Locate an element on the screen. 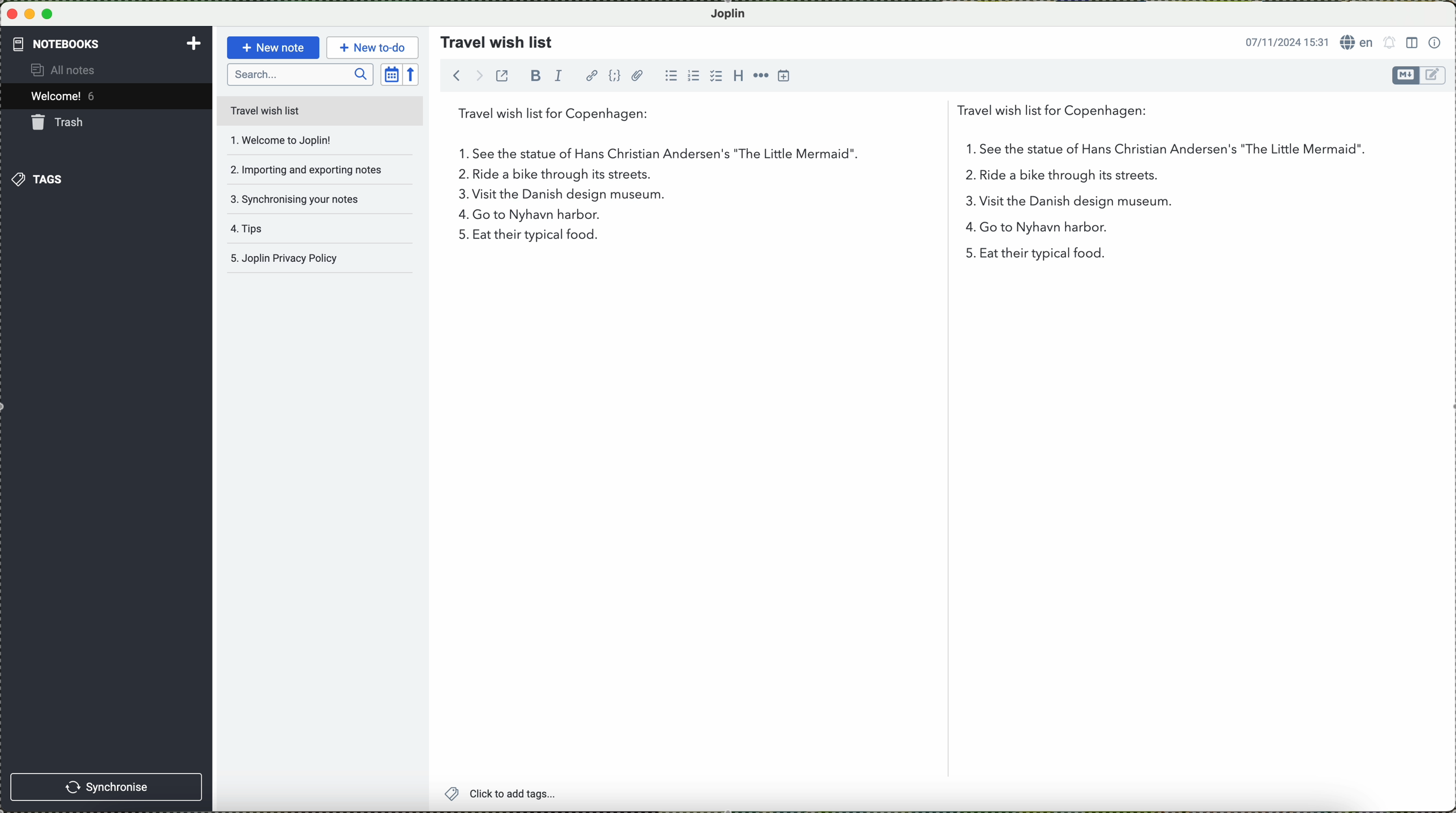 The width and height of the screenshot is (1456, 813). toggle editor layout is located at coordinates (1411, 43).